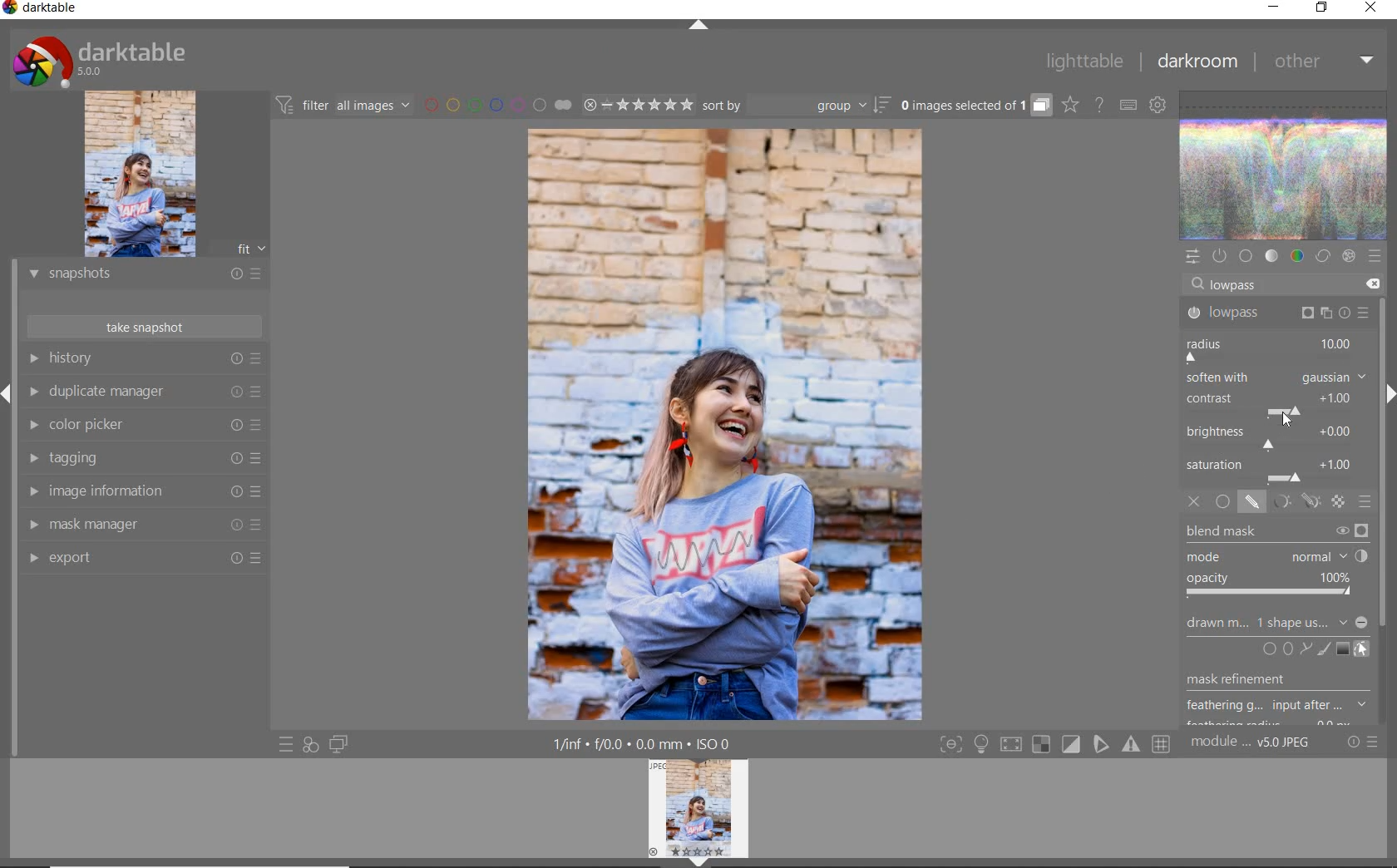 This screenshot has height=868, width=1397. I want to click on show & edit mask elements, so click(1362, 650).